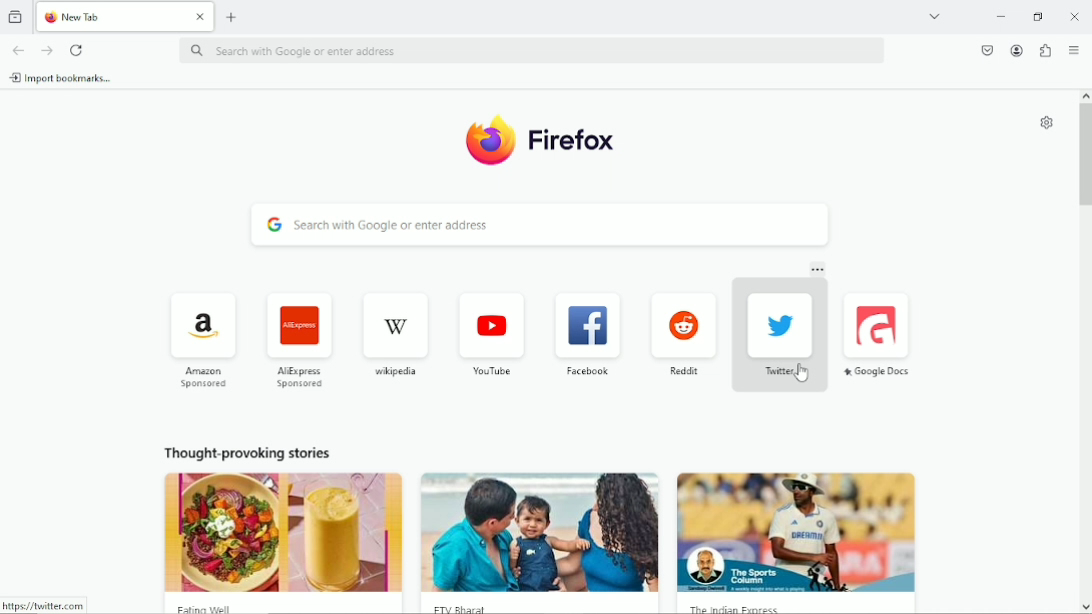 Image resolution: width=1092 pixels, height=614 pixels. I want to click on Close, so click(1075, 16).